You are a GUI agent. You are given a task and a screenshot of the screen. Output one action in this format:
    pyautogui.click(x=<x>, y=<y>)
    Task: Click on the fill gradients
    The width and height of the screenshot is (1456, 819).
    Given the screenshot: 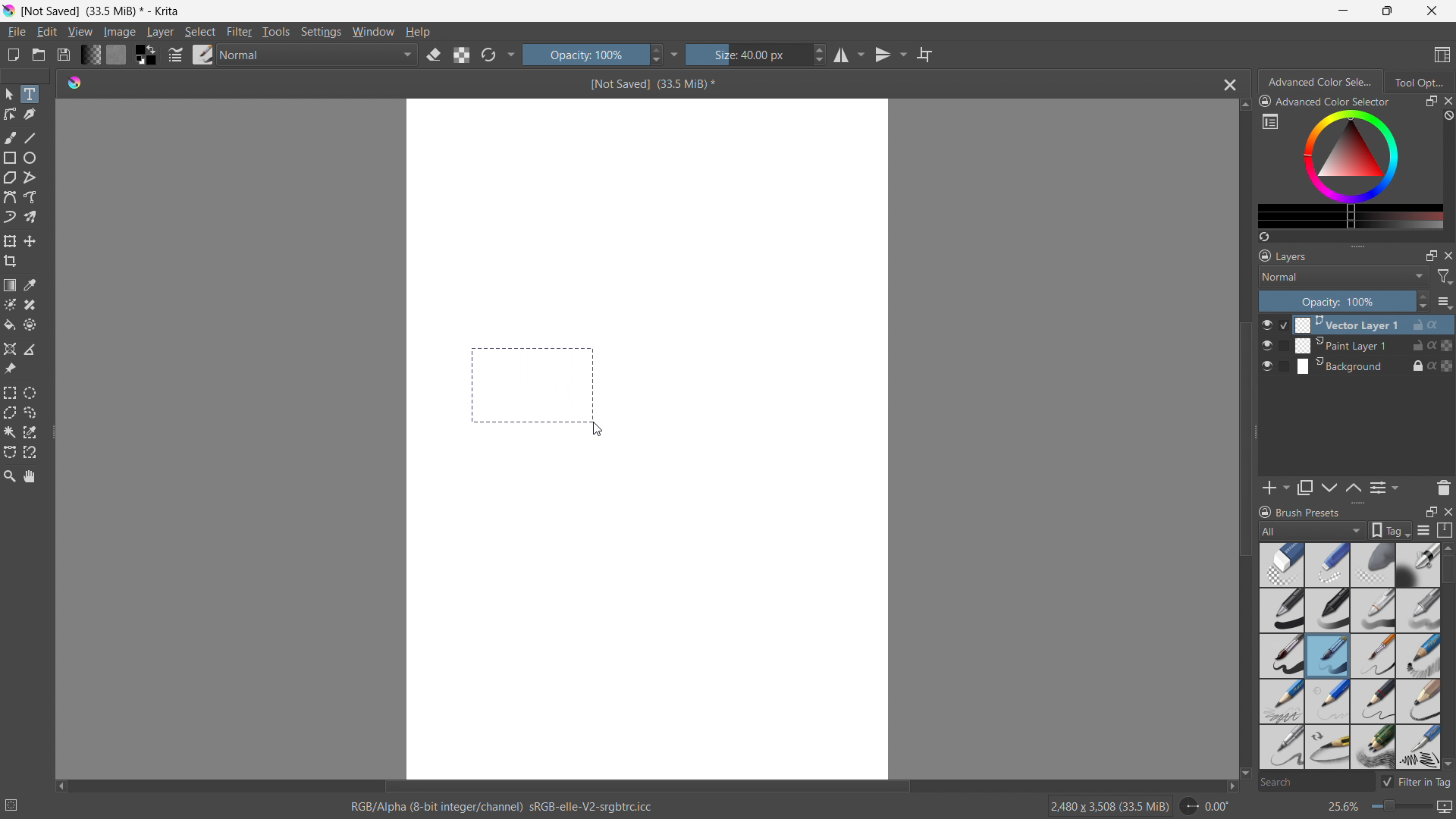 What is the action you would take?
    pyautogui.click(x=90, y=54)
    